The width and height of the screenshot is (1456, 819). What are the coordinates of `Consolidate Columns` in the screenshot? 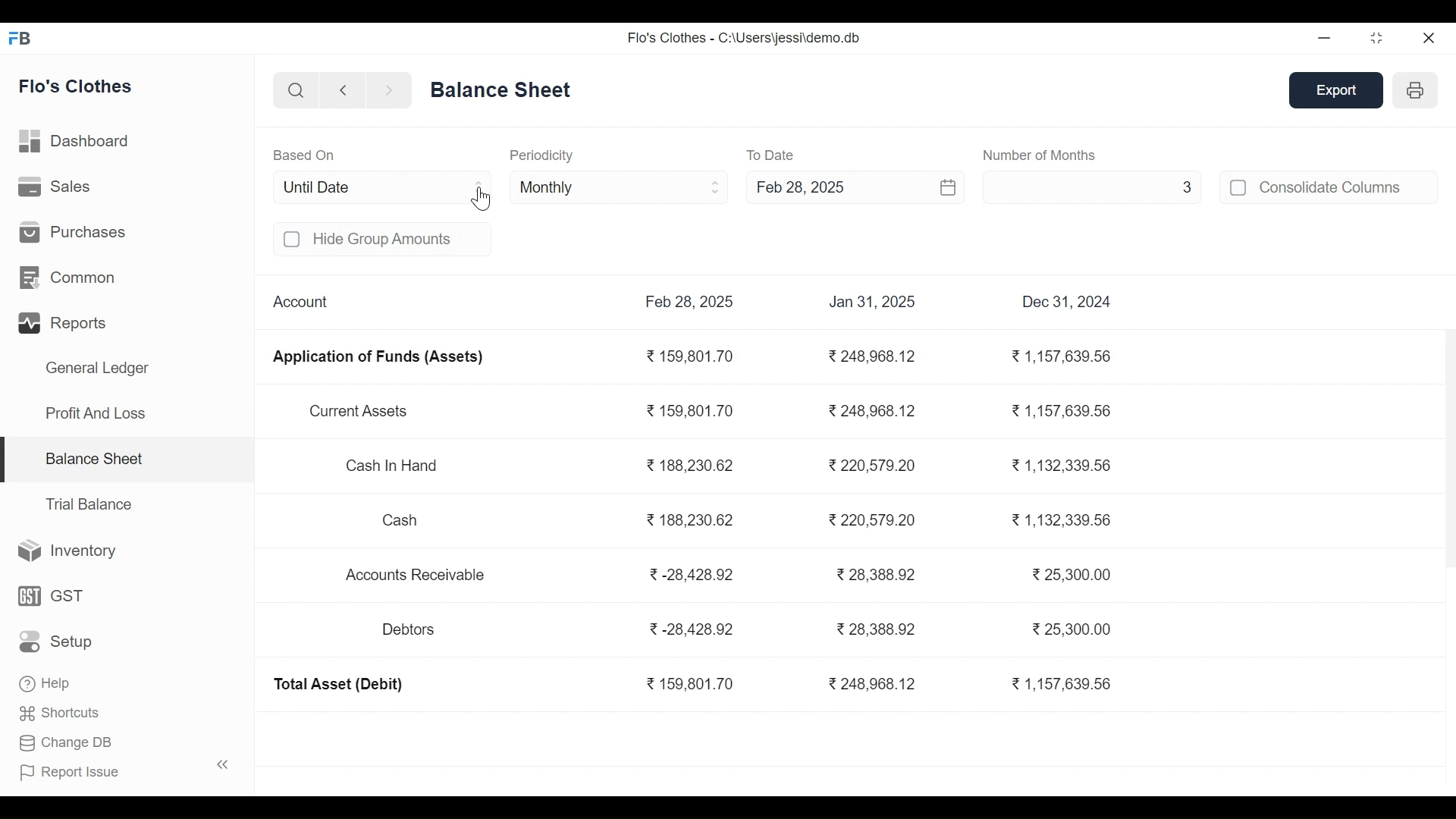 It's located at (1348, 187).